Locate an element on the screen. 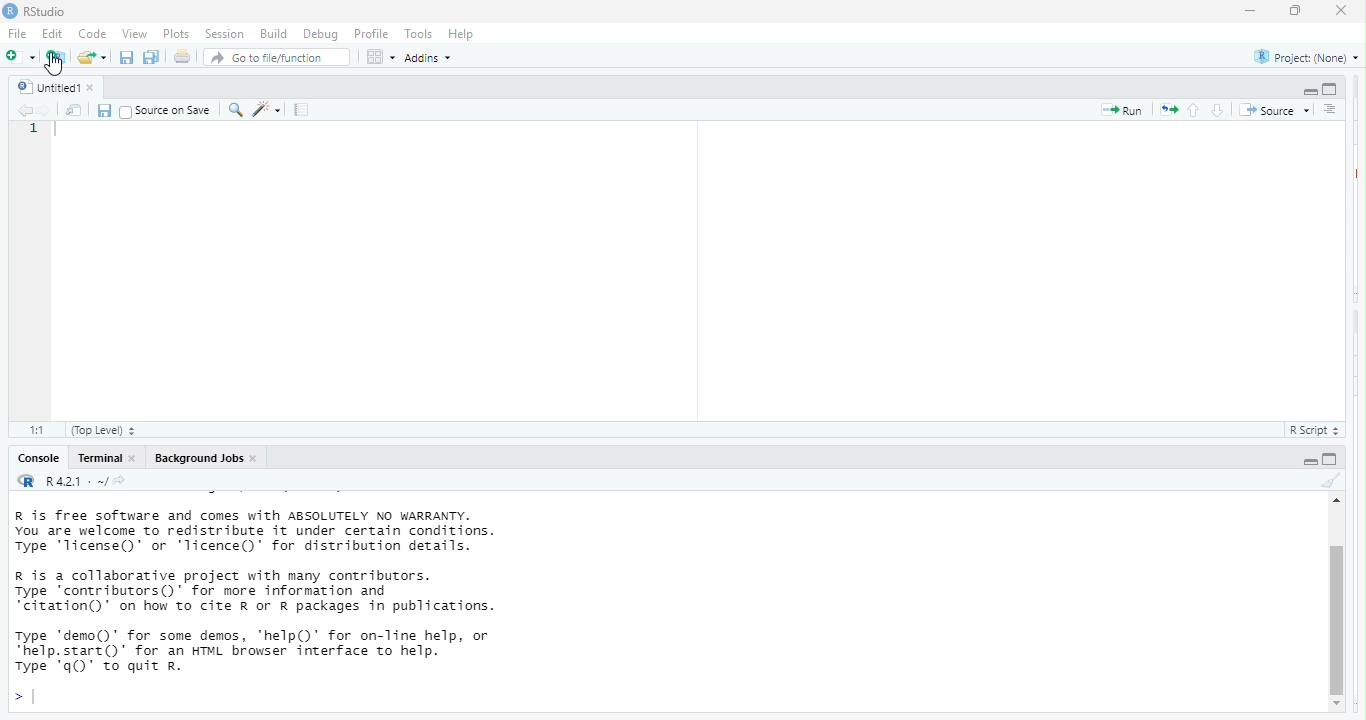 The image size is (1366, 720). el sie tl—pbmsly-sy-—ibejsiyrisisns-mnisbepalioer-flaimyir-il-d
You are welcome to redistribute it under certain conditions.

Type ‘license()' or ‘licence()' for distribution details.

R is a collaborative project with many contributors.

Type contributors)’ for more information and

“citation()’ on how to cite R or R packages in publications.

Type ‘demo()' for some demos, ‘'help()’ for on-line help, or

“help.start()’ for an HTML browser interface to help.

Type 'q0)" to quit R. is located at coordinates (308, 596).